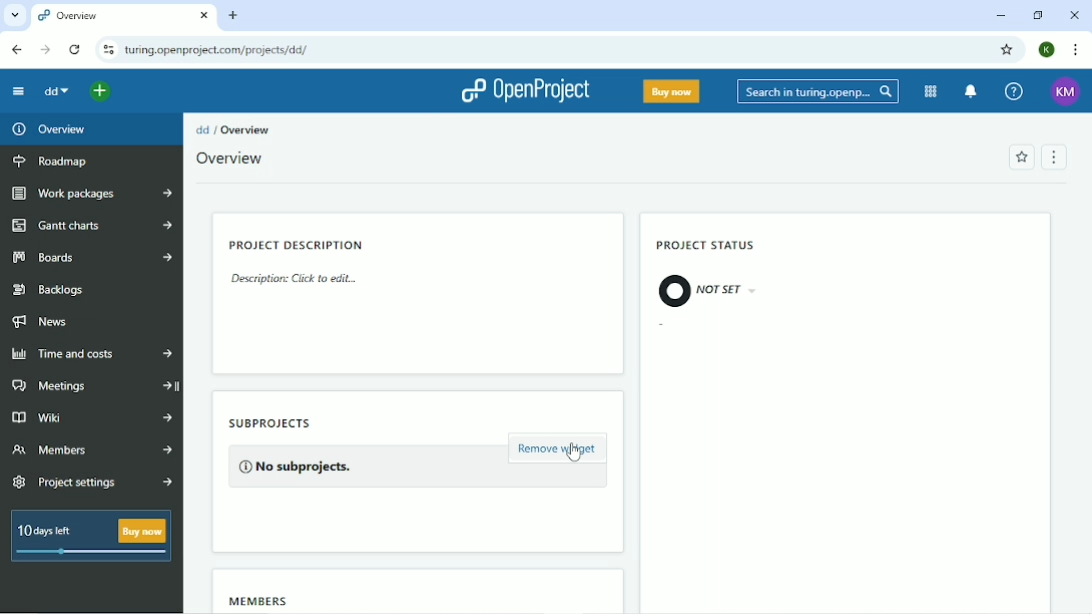 The image size is (1092, 614). Describe the element at coordinates (89, 538) in the screenshot. I see `10 days left` at that location.